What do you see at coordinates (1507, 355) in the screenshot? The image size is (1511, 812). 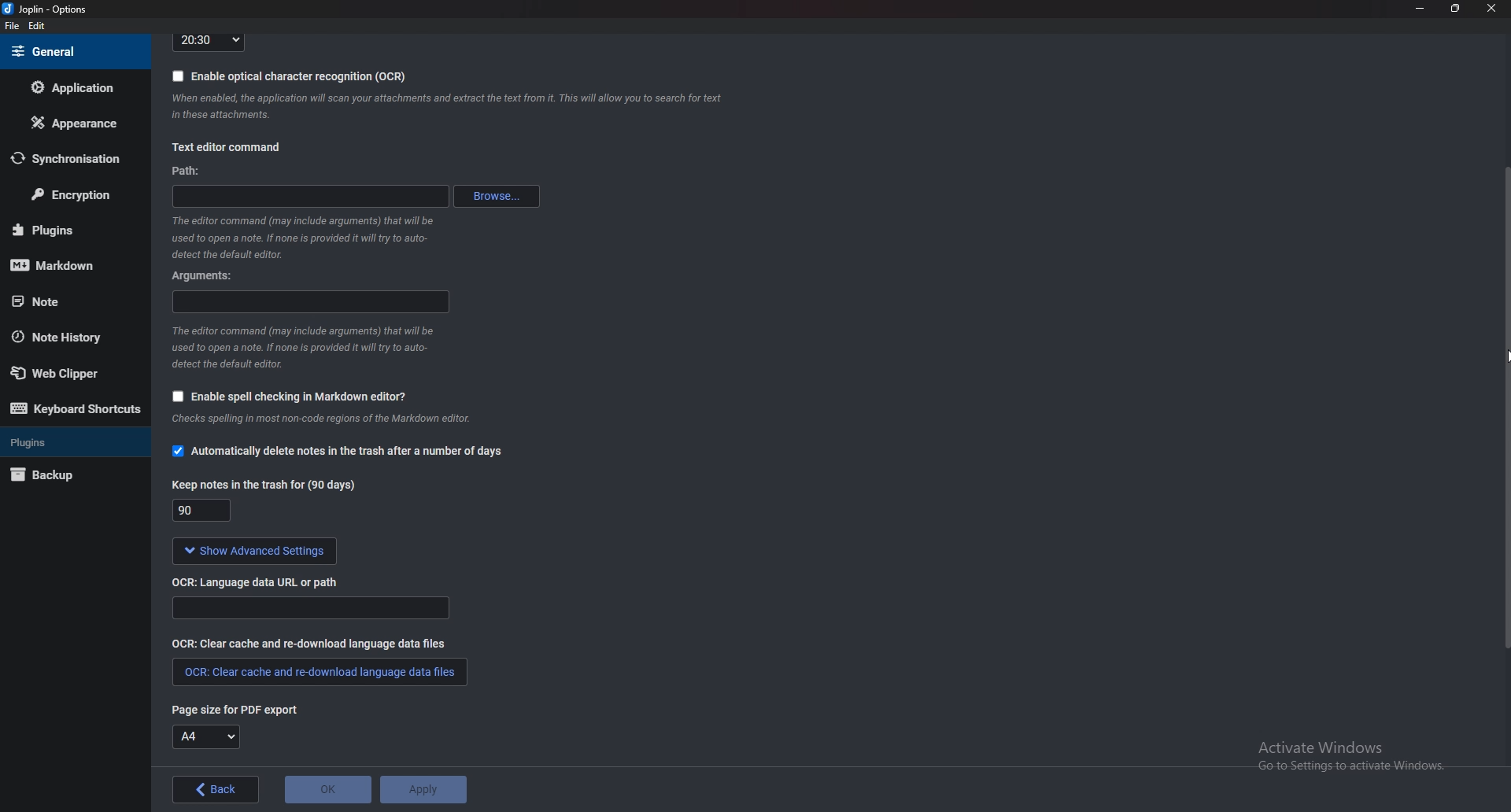 I see `Cursor` at bounding box center [1507, 355].